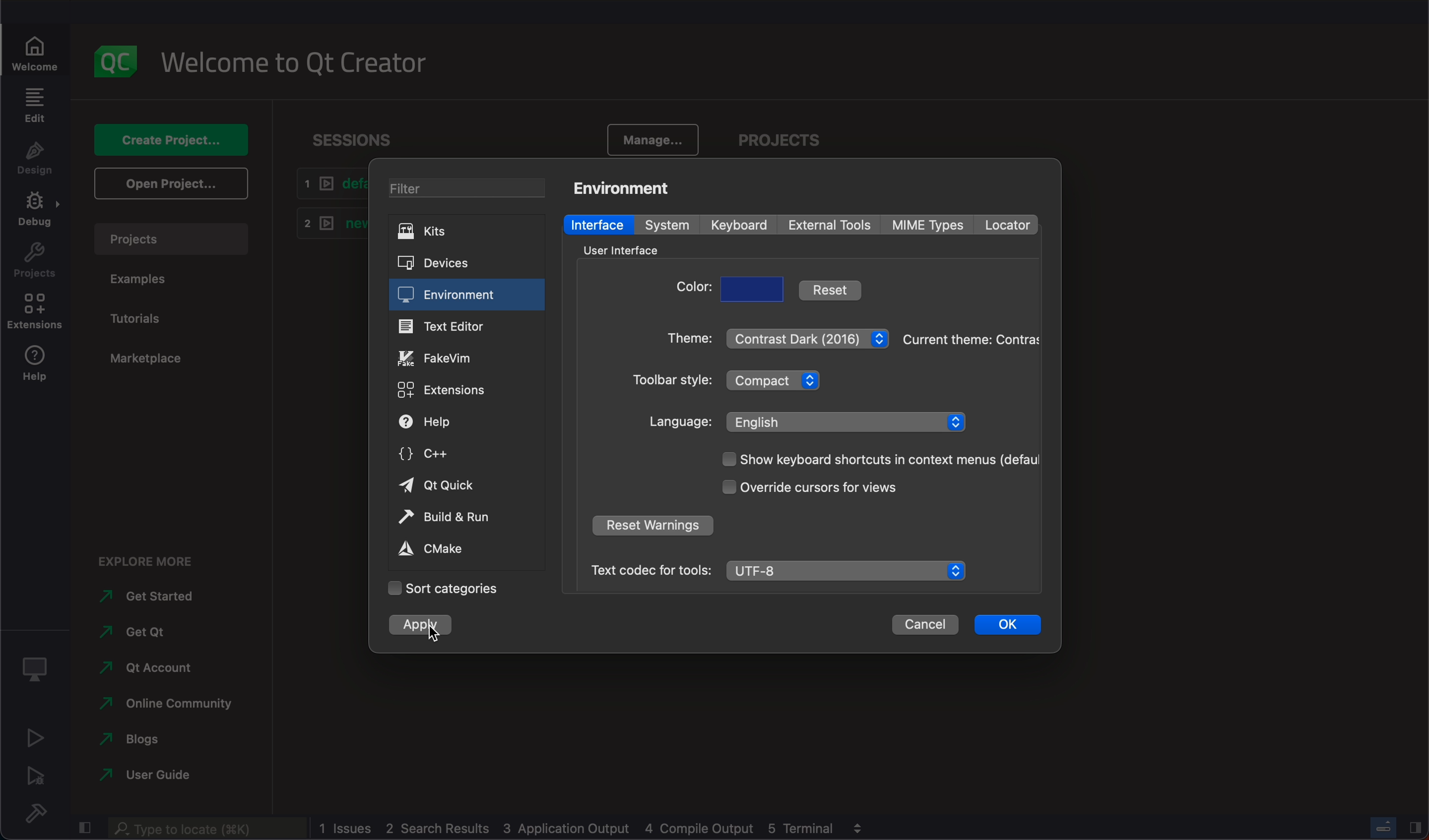  What do you see at coordinates (645, 570) in the screenshot?
I see `Text codec for tools` at bounding box center [645, 570].